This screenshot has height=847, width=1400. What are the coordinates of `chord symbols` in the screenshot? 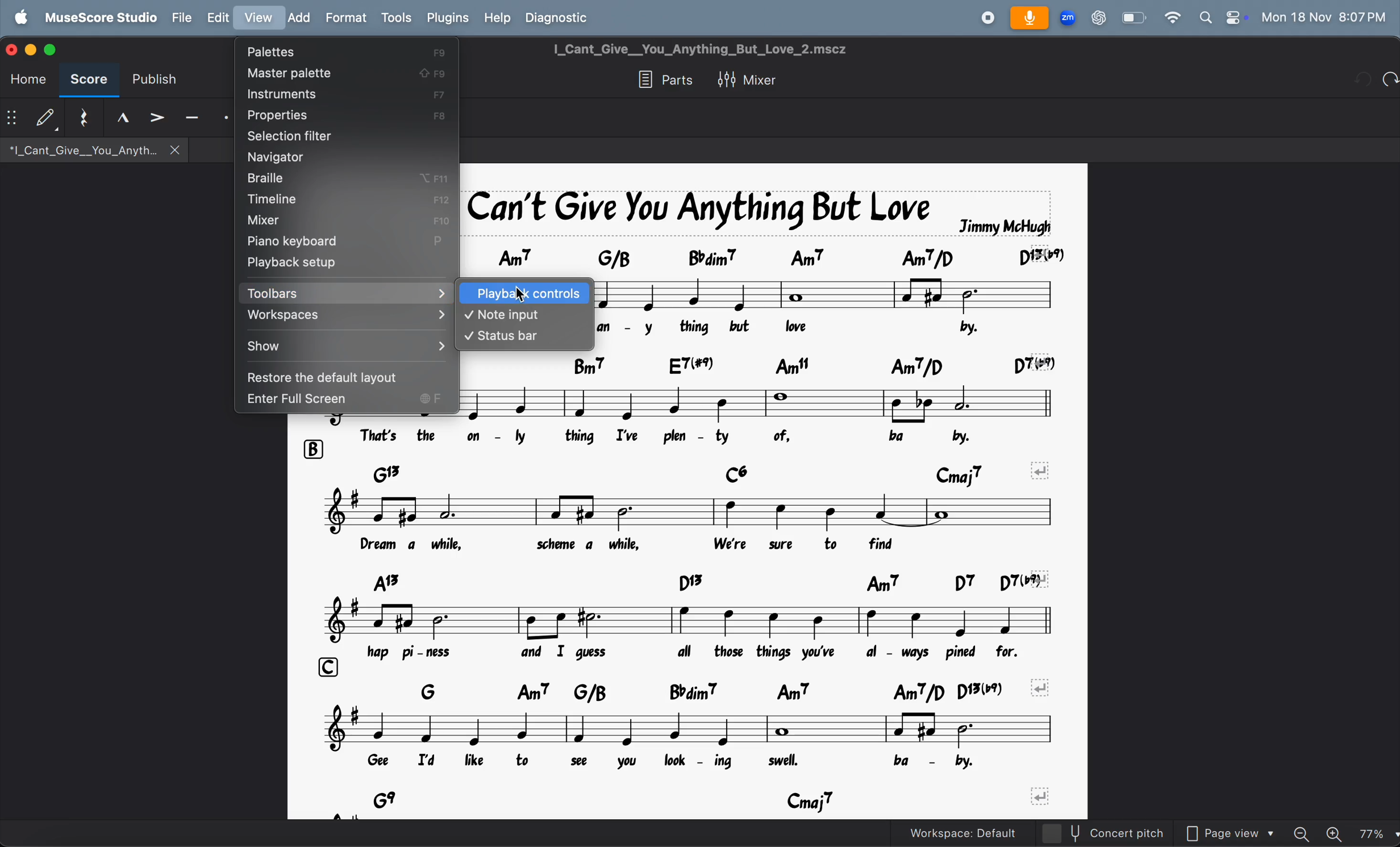 It's located at (697, 583).